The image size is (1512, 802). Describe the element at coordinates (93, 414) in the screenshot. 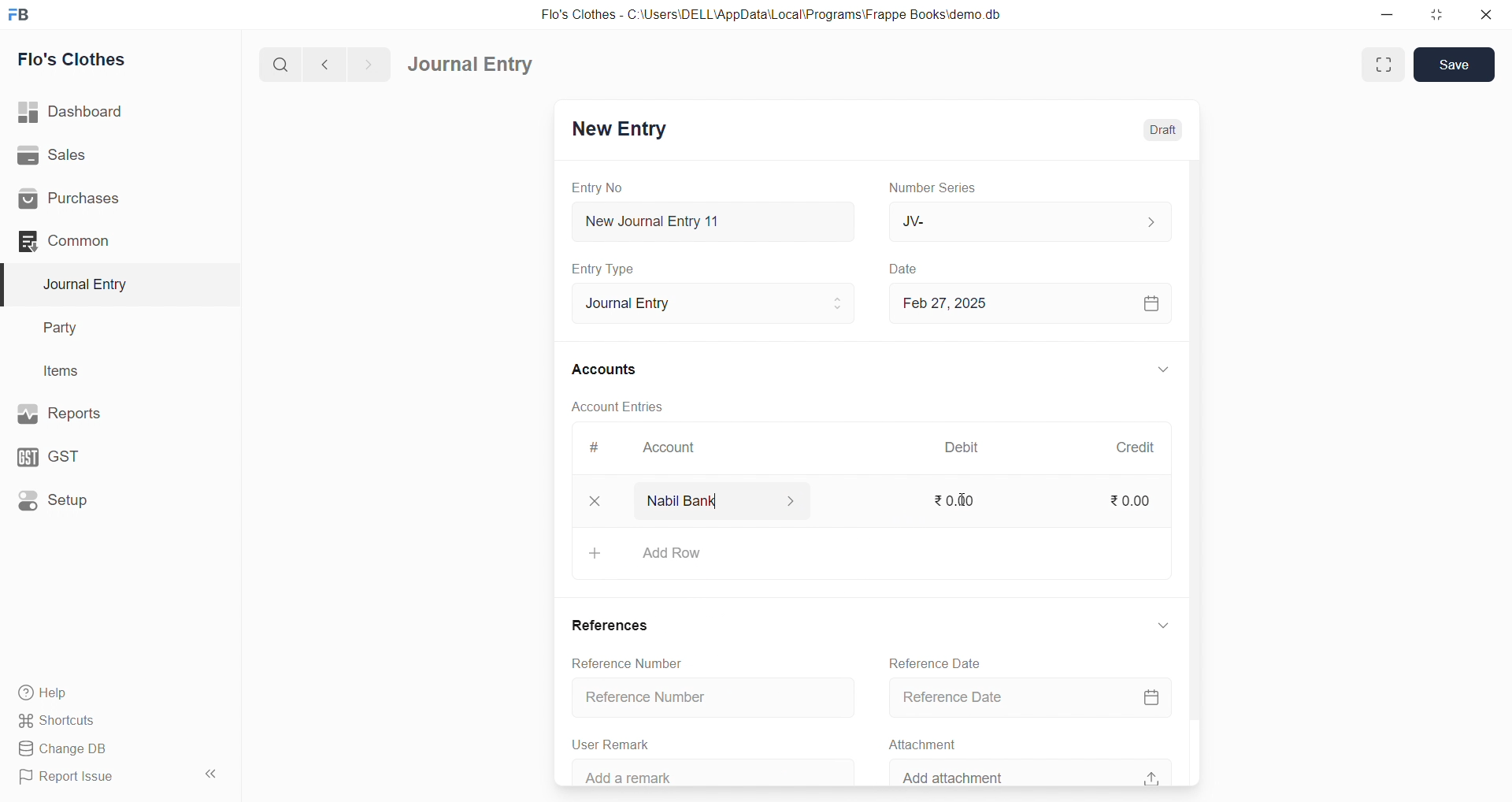

I see `Reports` at that location.